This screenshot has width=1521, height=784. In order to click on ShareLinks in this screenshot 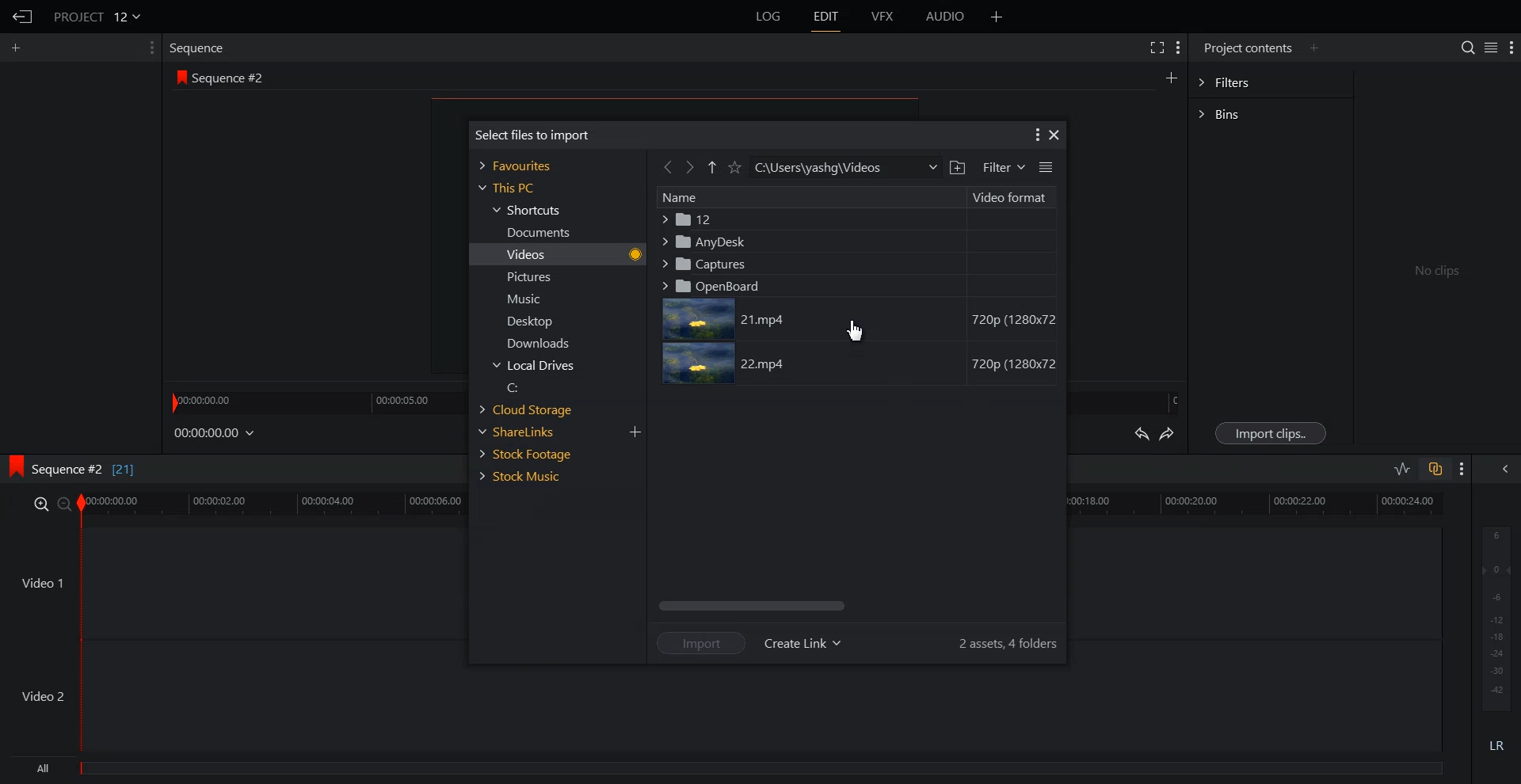, I will do `click(533, 432)`.